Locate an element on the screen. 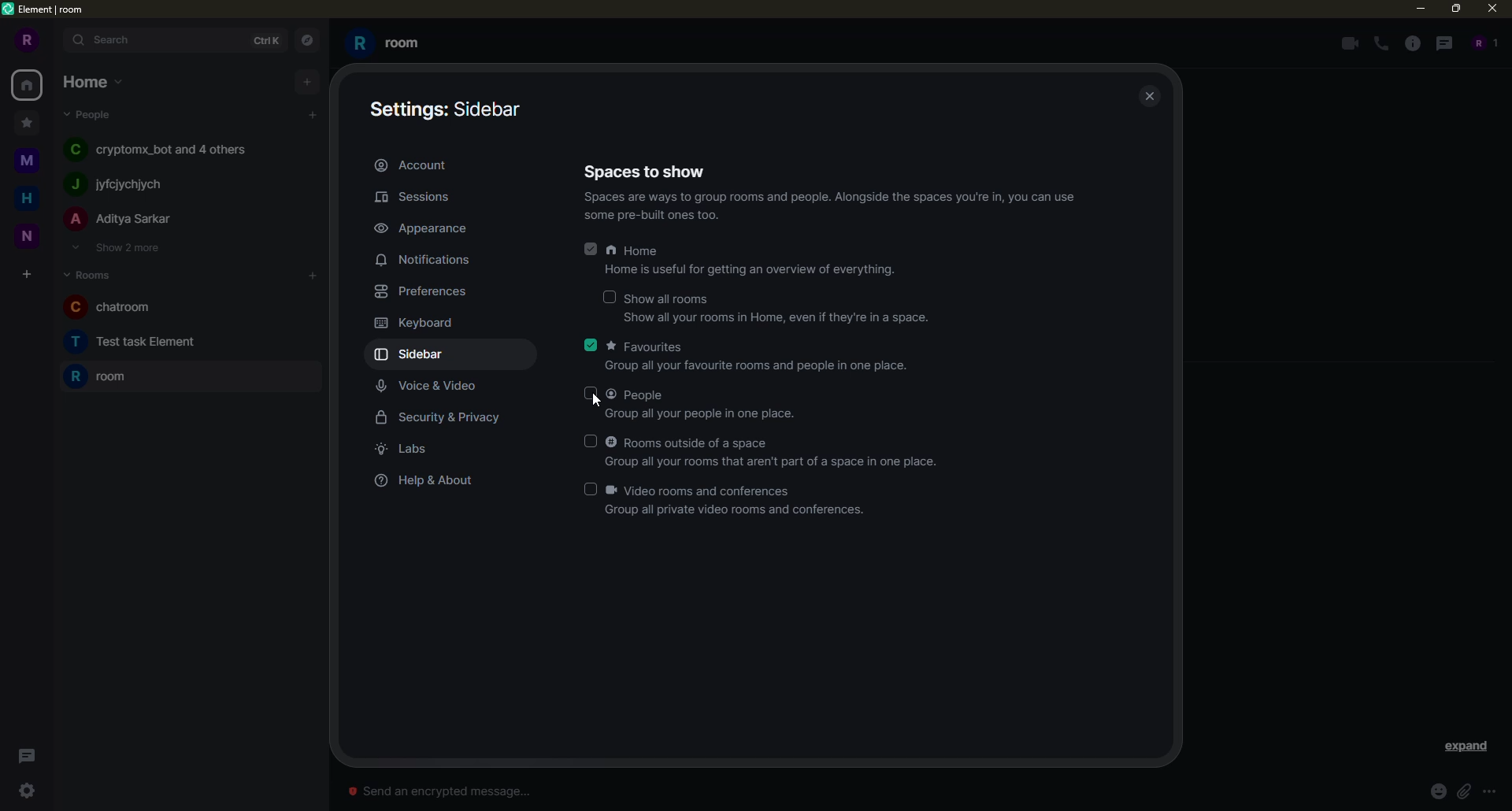 The height and width of the screenshot is (811, 1512). voice call is located at coordinates (1380, 43).